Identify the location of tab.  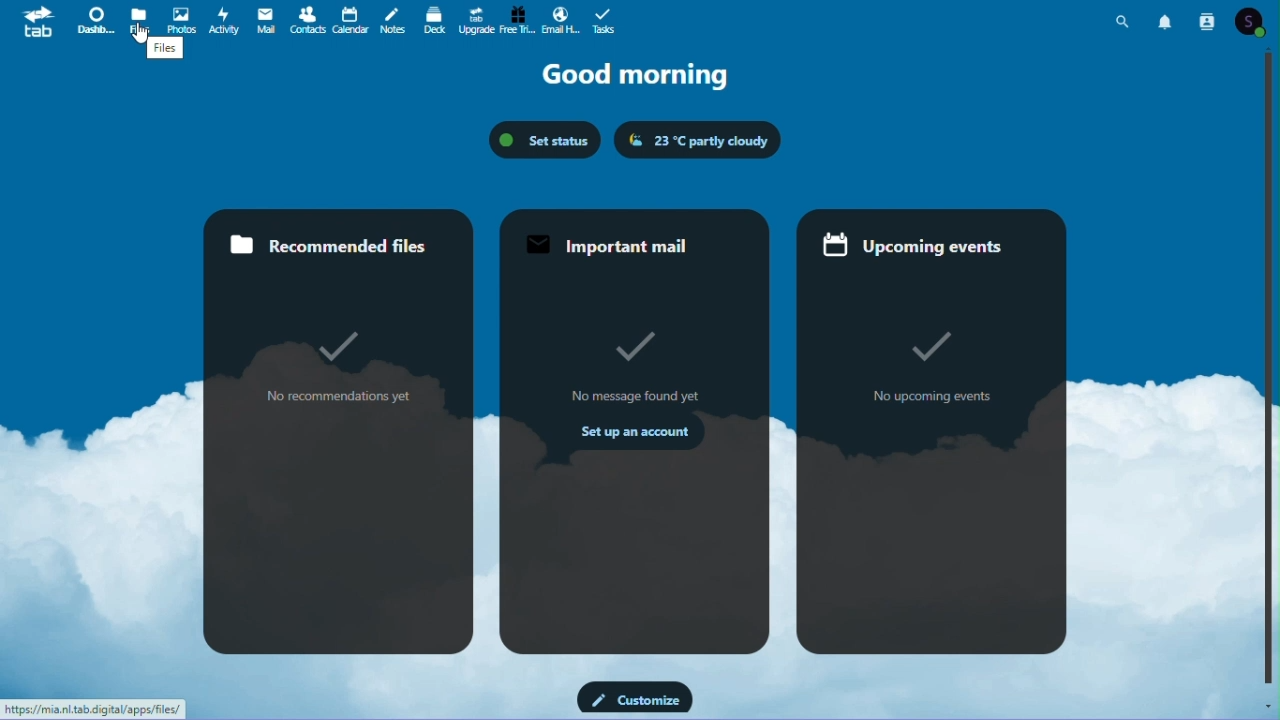
(34, 24).